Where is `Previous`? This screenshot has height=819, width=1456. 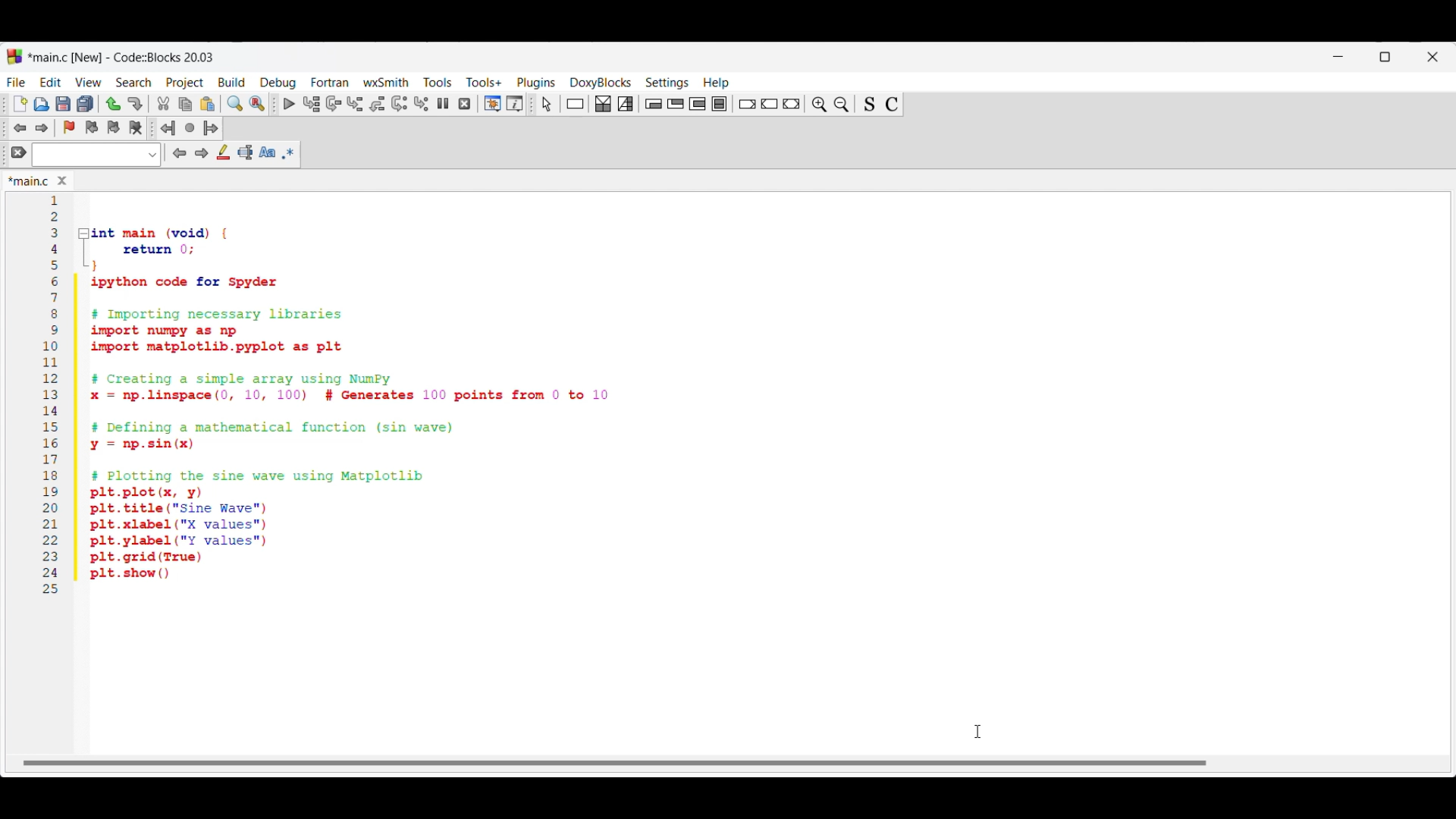 Previous is located at coordinates (180, 153).